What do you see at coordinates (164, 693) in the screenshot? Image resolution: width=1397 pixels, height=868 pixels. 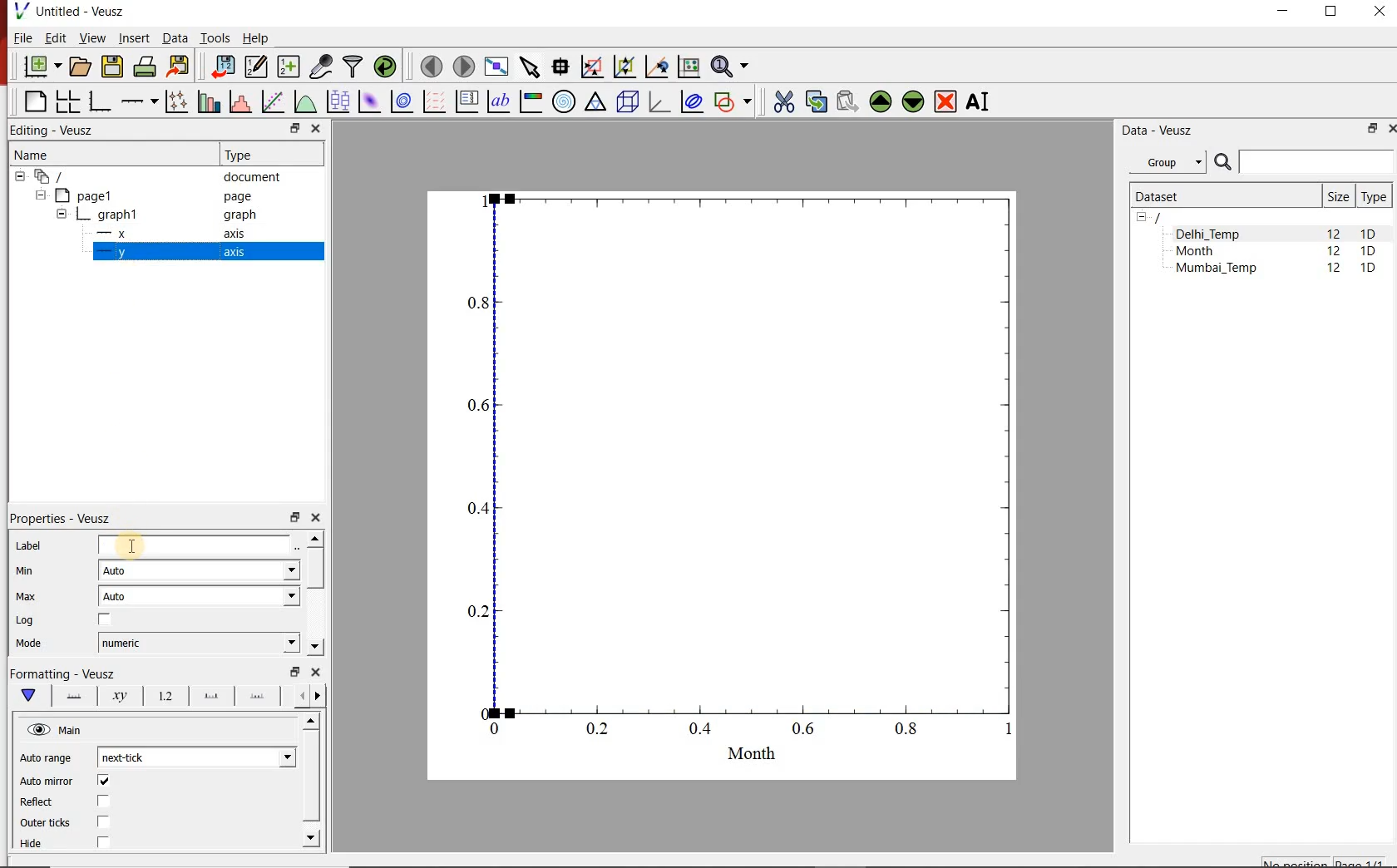 I see `Tick labels` at bounding box center [164, 693].